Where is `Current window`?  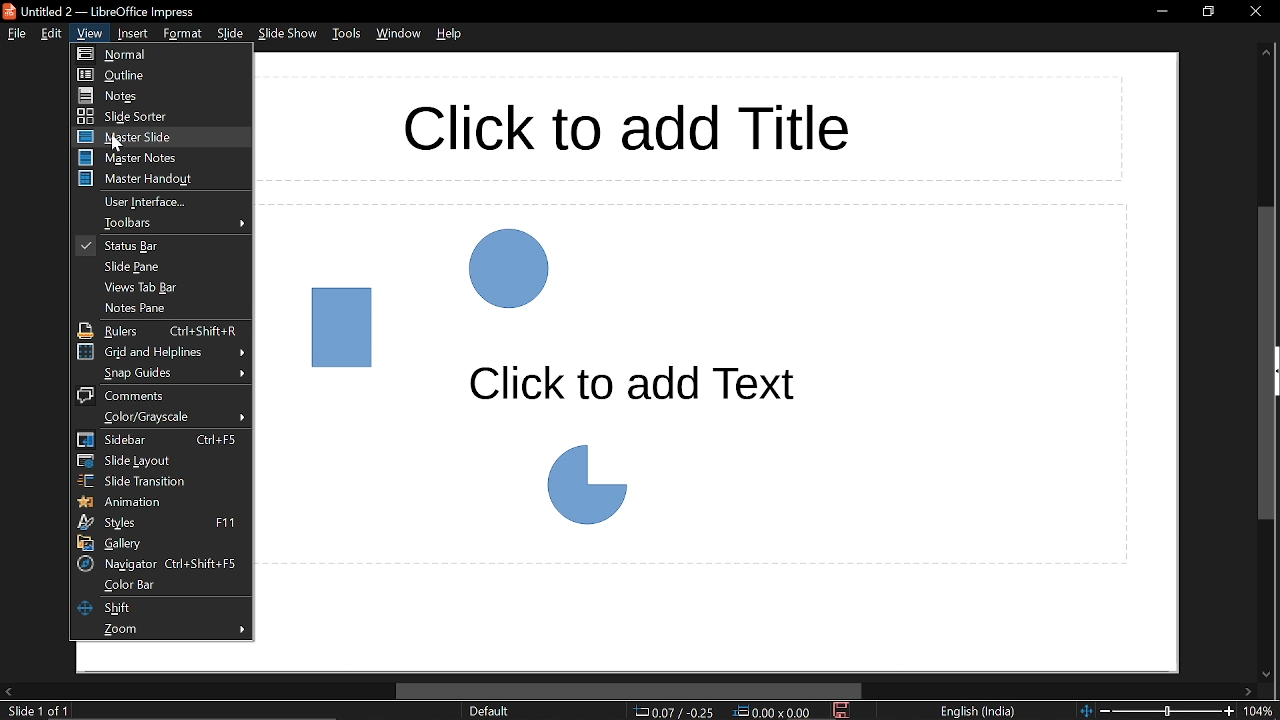
Current window is located at coordinates (125, 10).